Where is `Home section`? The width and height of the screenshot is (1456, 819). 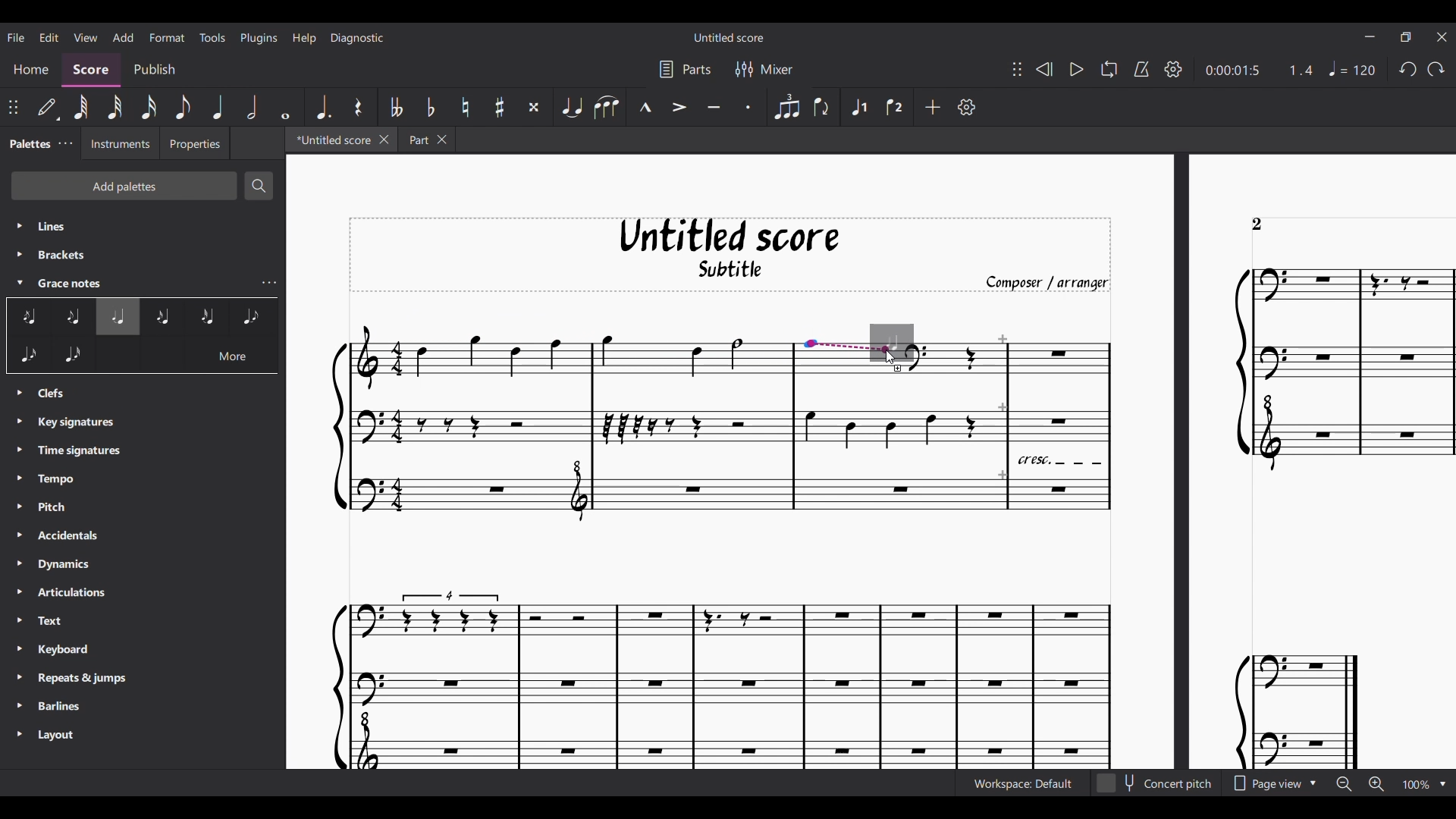 Home section is located at coordinates (31, 71).